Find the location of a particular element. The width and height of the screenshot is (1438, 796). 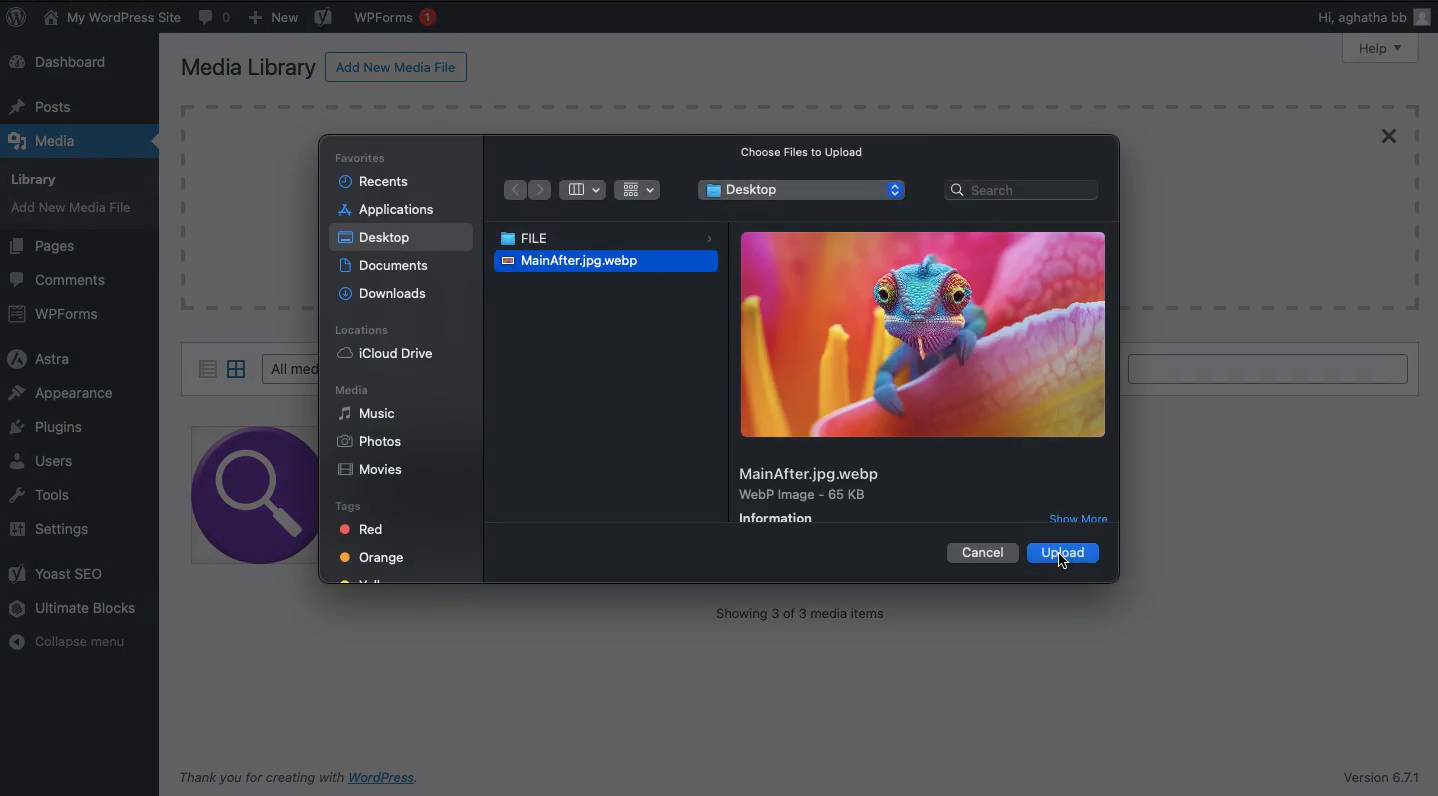

Comments is located at coordinates (66, 278).